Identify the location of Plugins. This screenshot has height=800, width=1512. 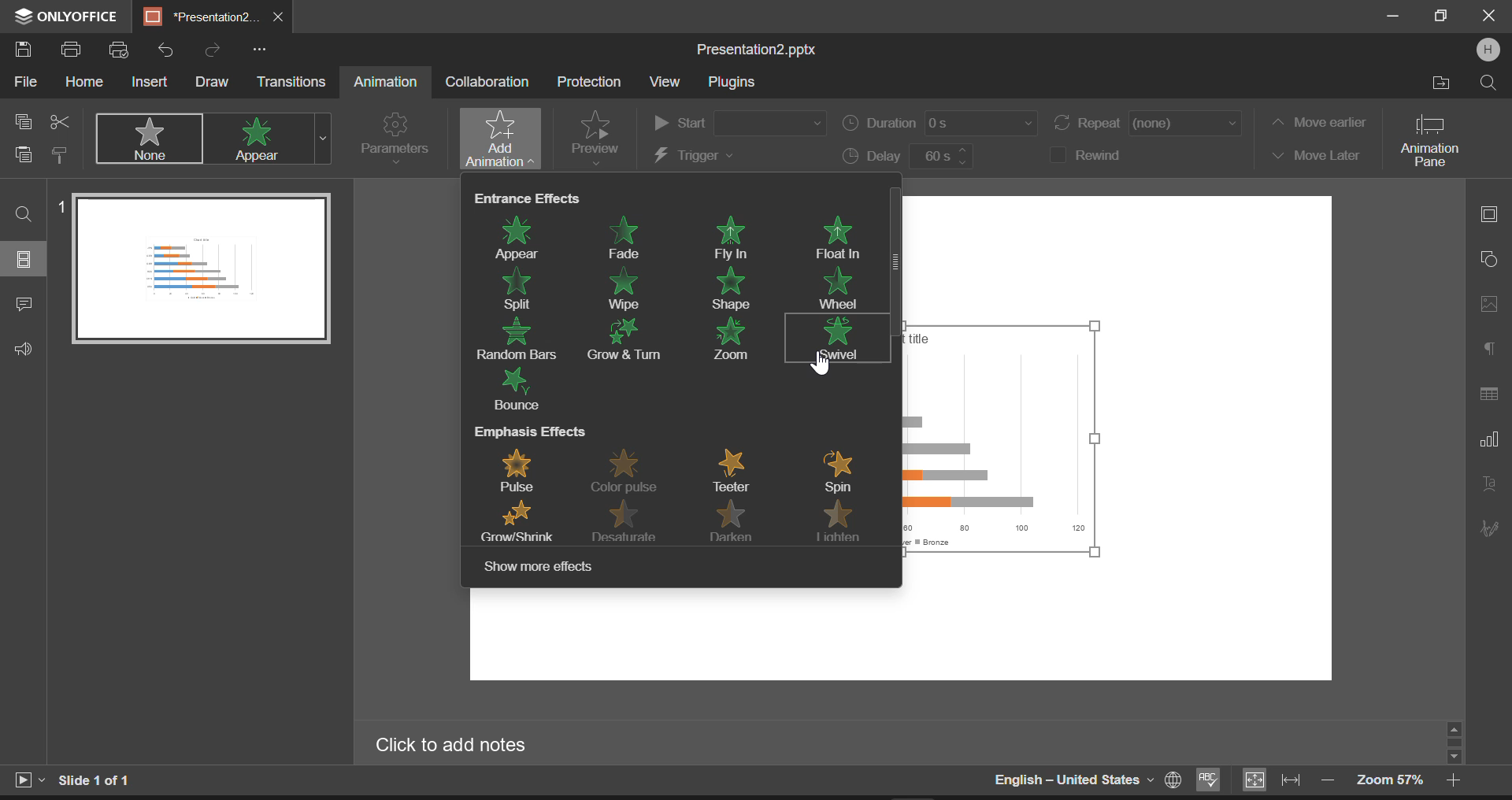
(731, 83).